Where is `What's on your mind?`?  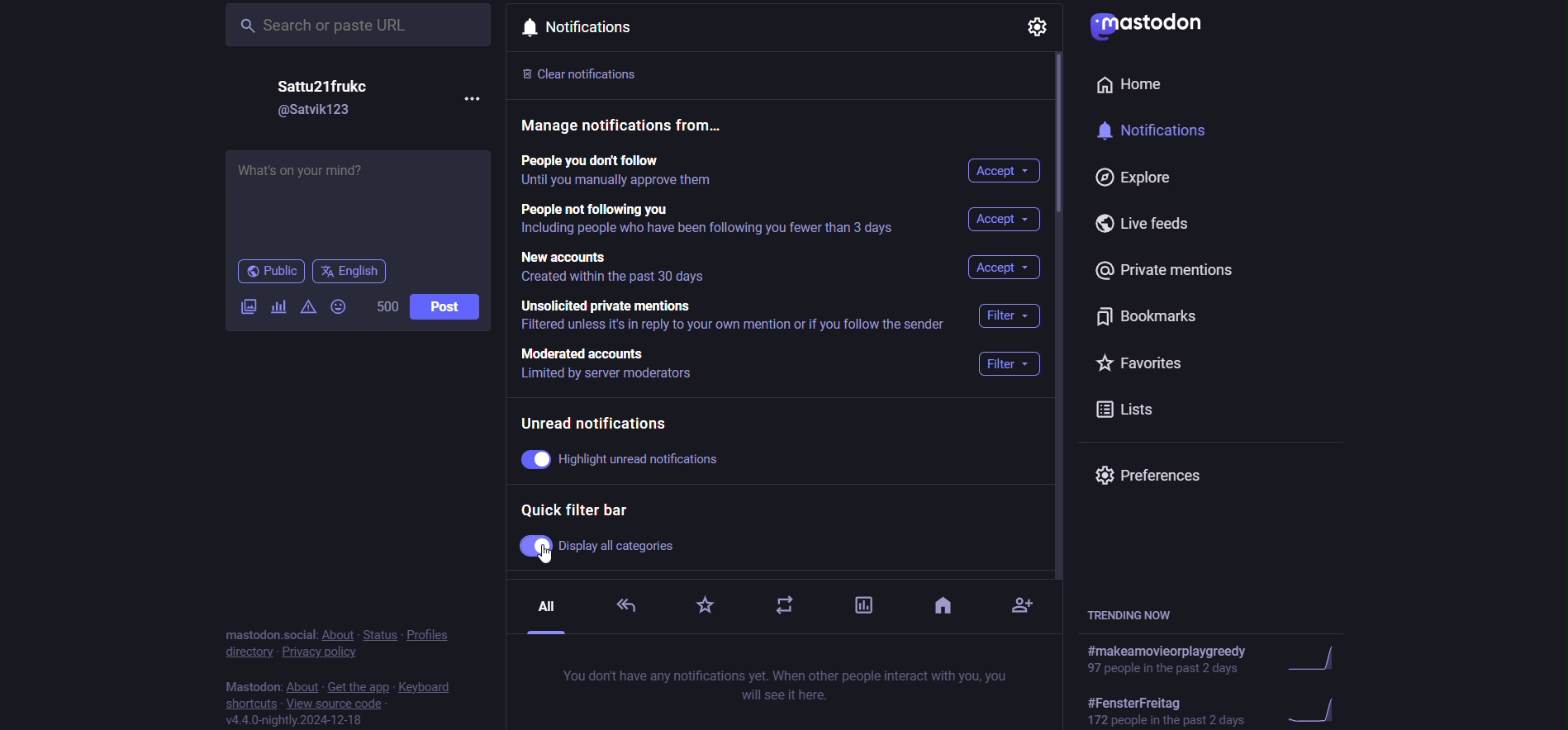
What's on your mind? is located at coordinates (354, 196).